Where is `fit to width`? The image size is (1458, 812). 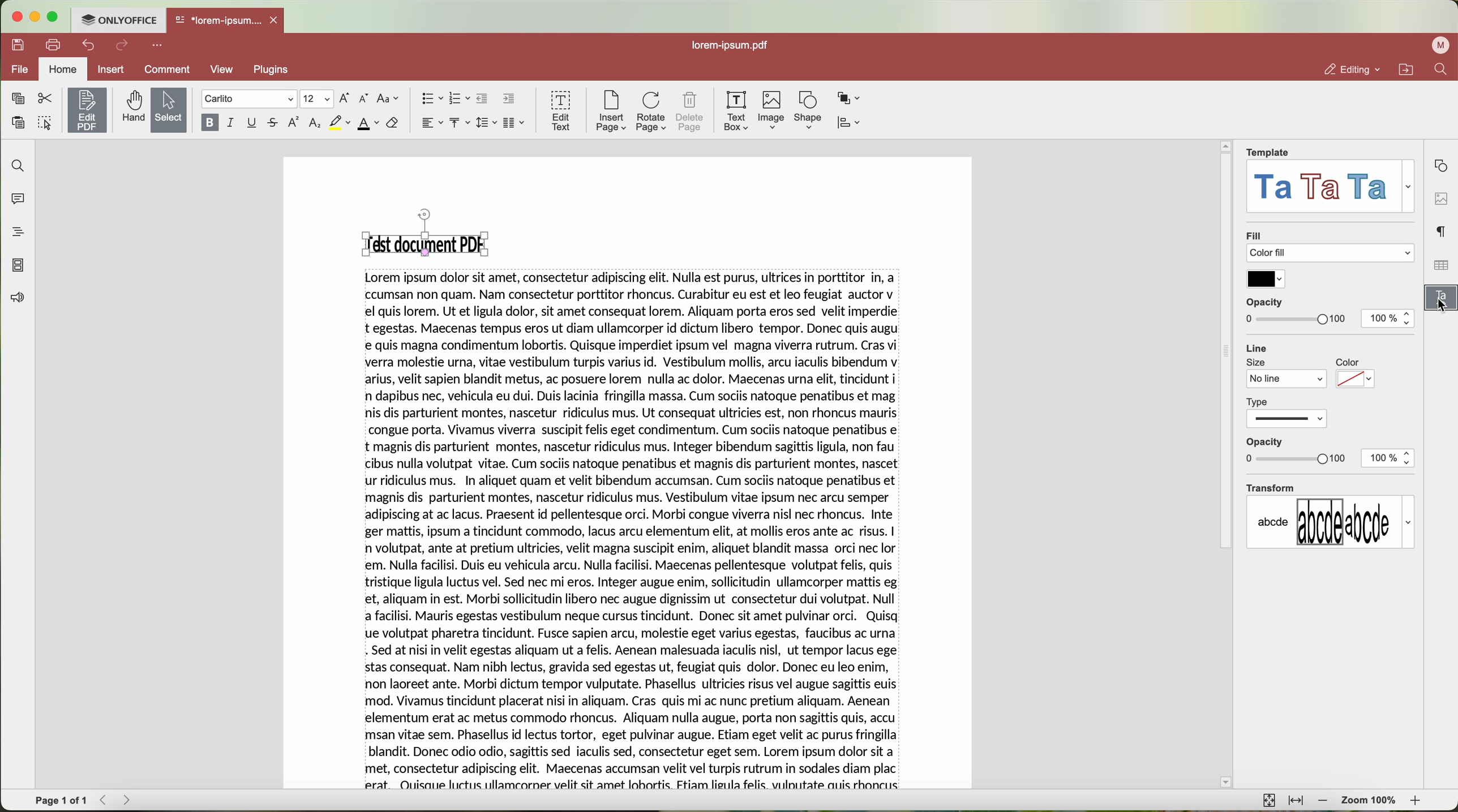 fit to width is located at coordinates (1296, 801).